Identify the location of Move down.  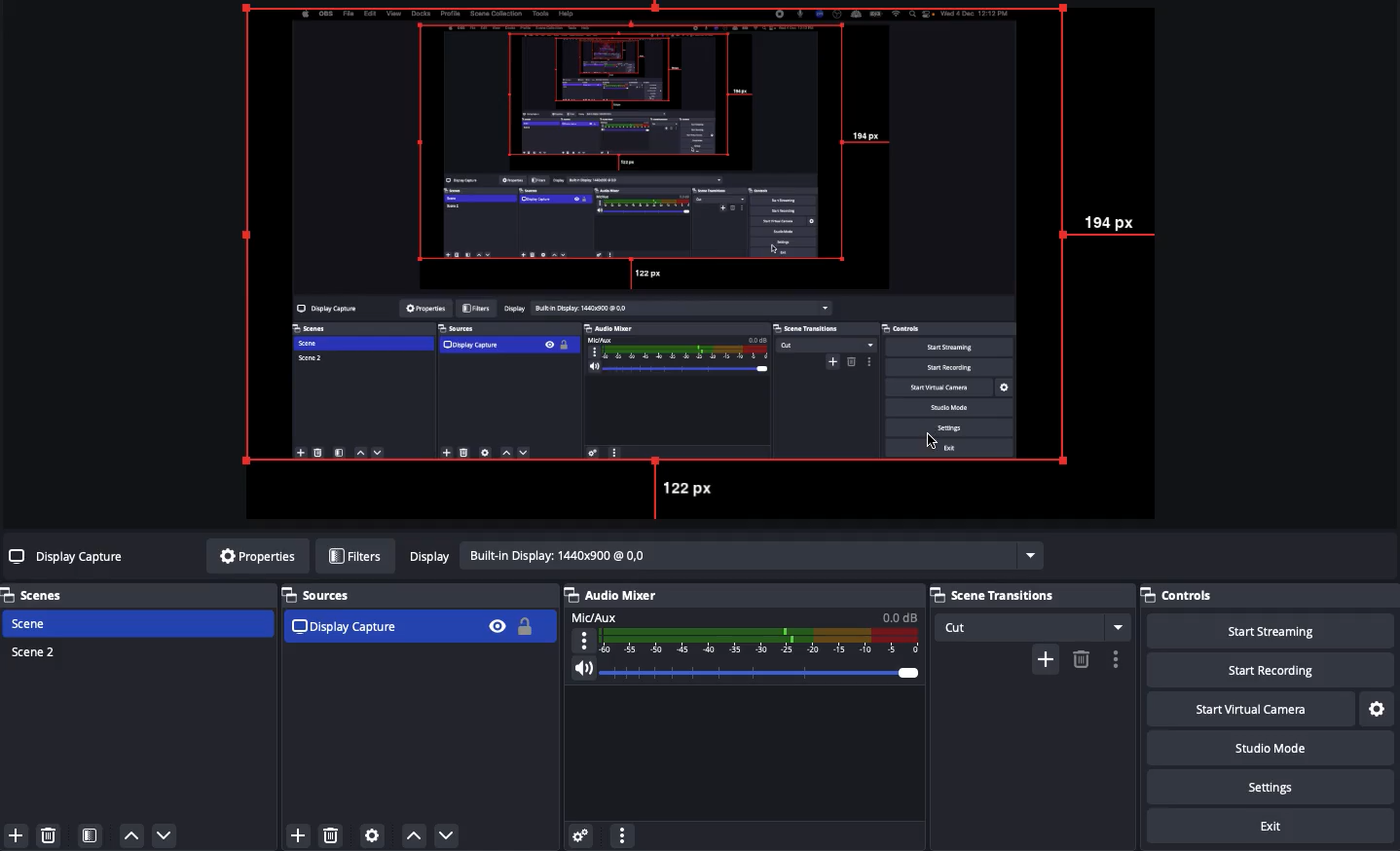
(164, 834).